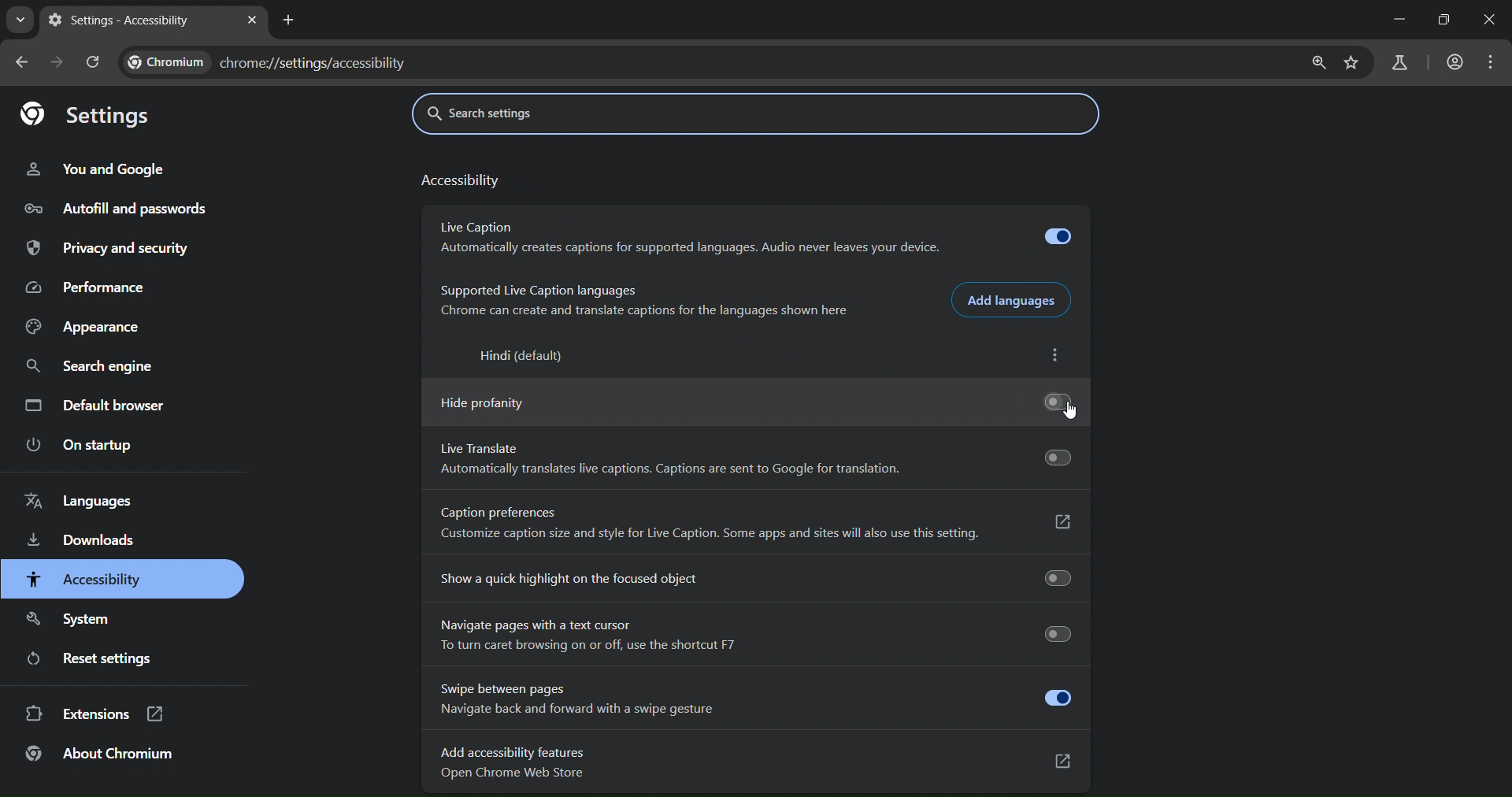 The image size is (1512, 797). What do you see at coordinates (91, 288) in the screenshot?
I see `performance` at bounding box center [91, 288].